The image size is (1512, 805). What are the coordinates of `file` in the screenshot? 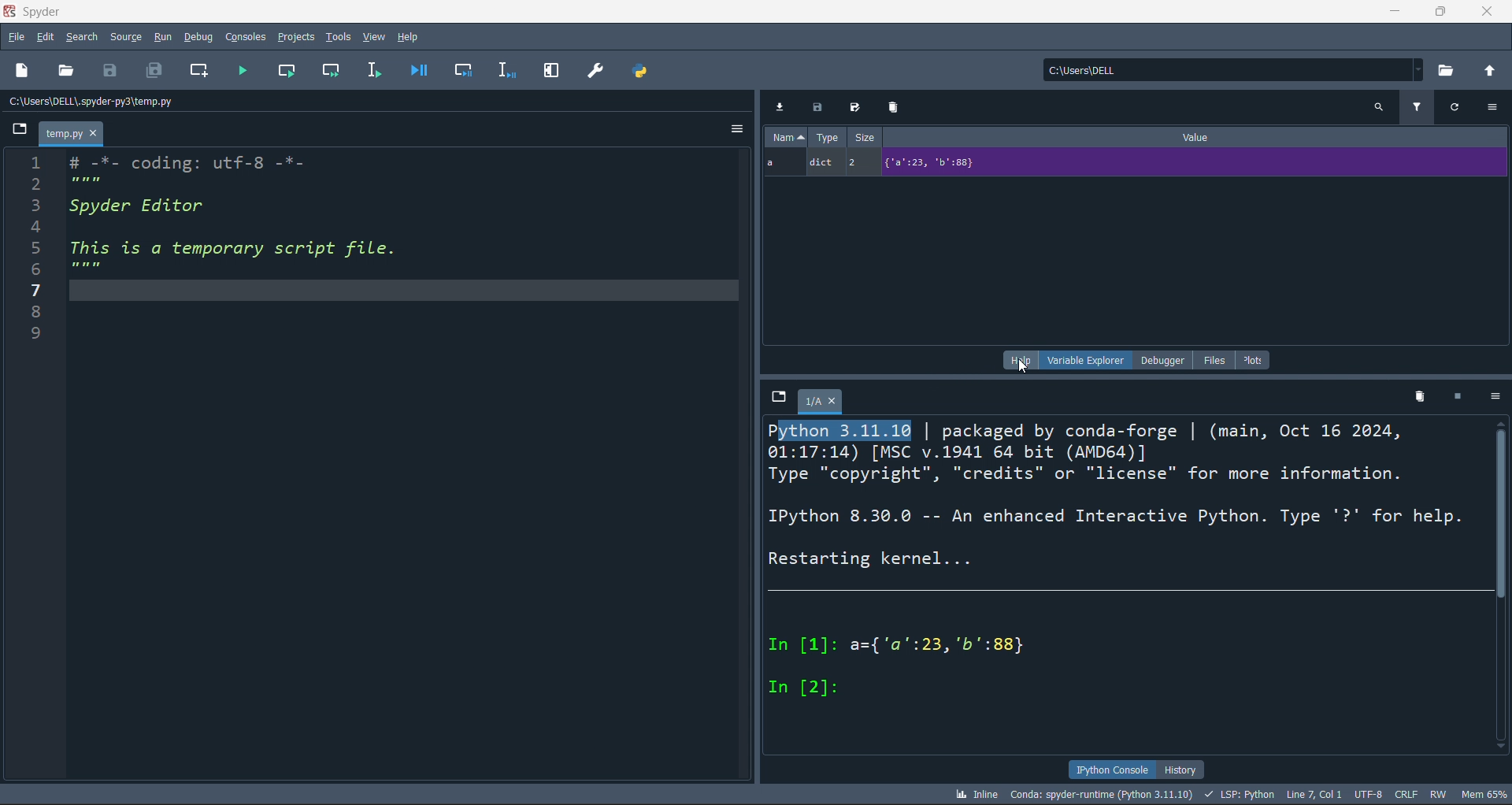 It's located at (15, 35).